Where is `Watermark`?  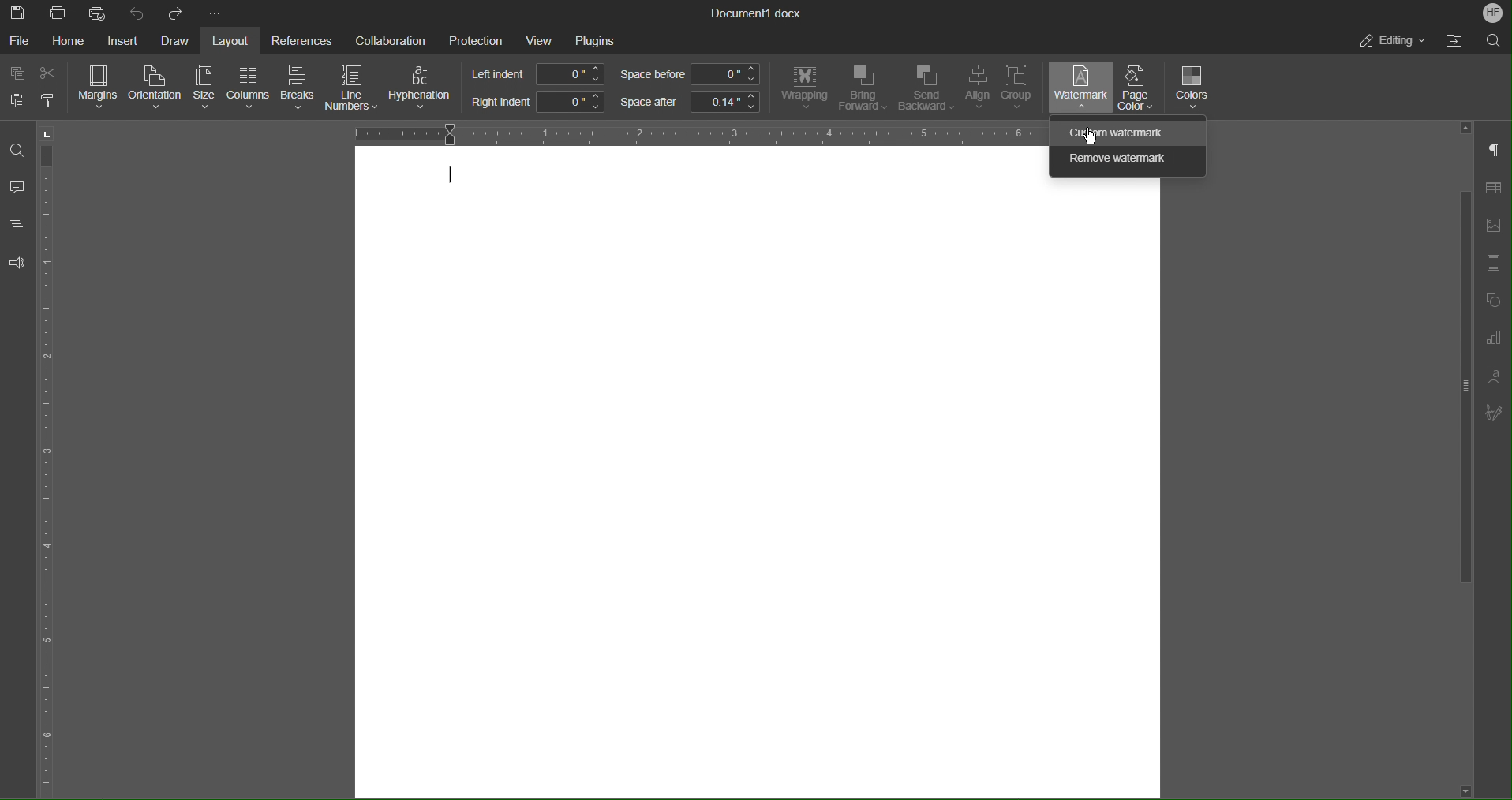
Watermark is located at coordinates (1081, 88).